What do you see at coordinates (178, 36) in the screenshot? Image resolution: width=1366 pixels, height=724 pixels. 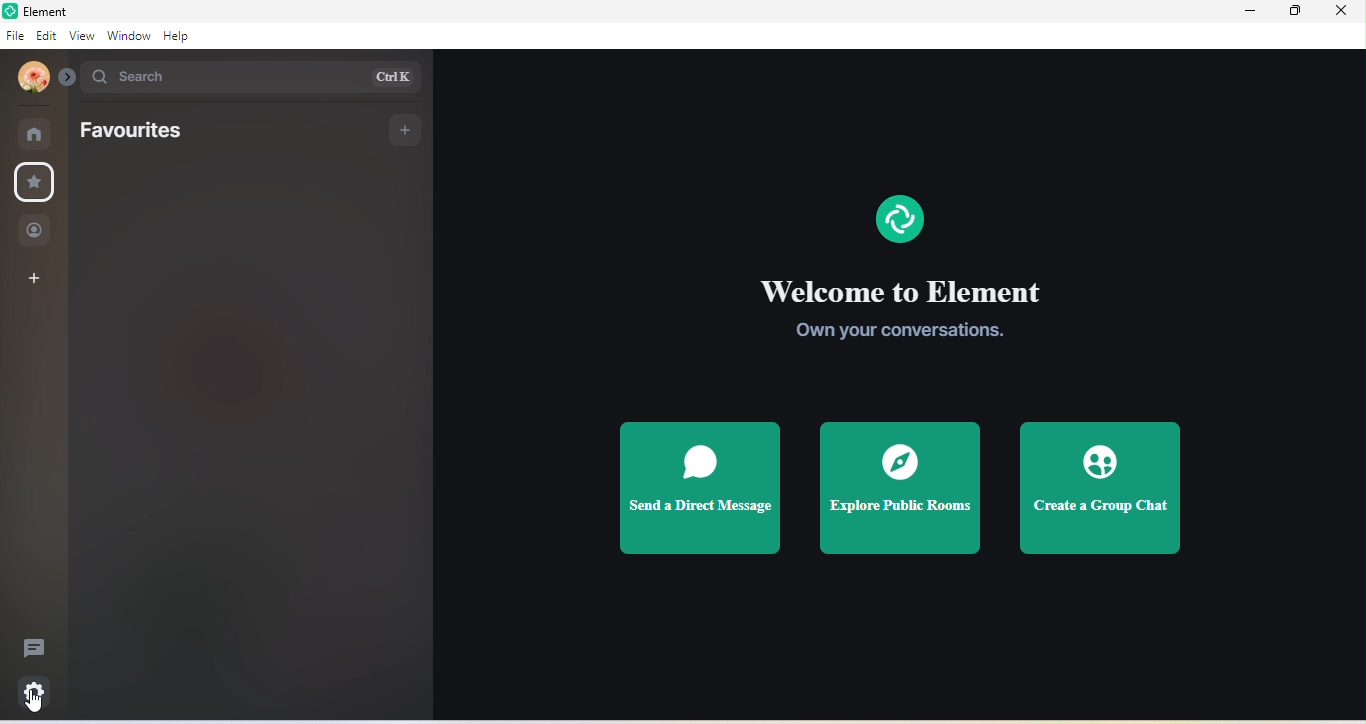 I see `help` at bounding box center [178, 36].